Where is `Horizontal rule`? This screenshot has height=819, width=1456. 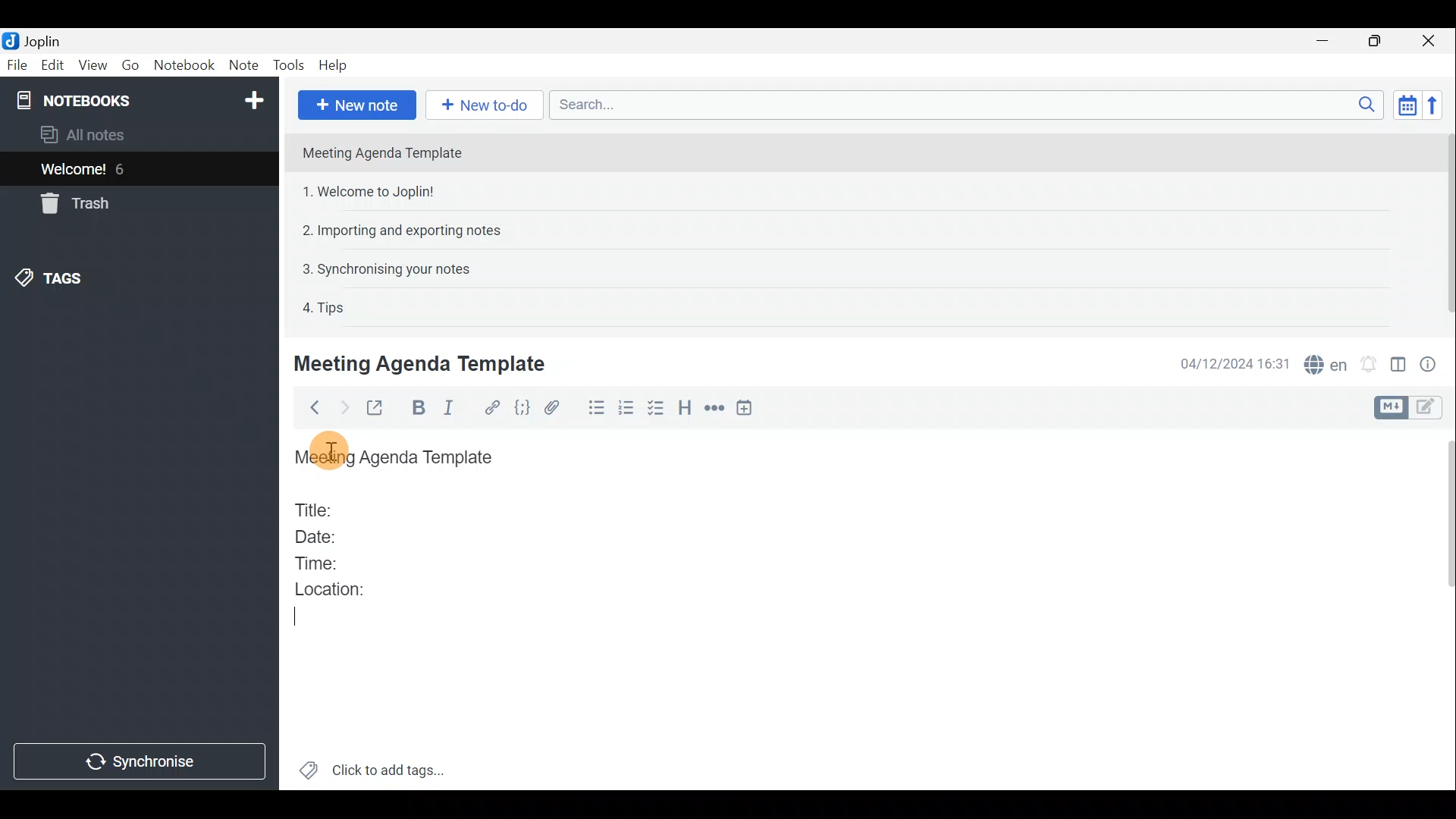
Horizontal rule is located at coordinates (716, 409).